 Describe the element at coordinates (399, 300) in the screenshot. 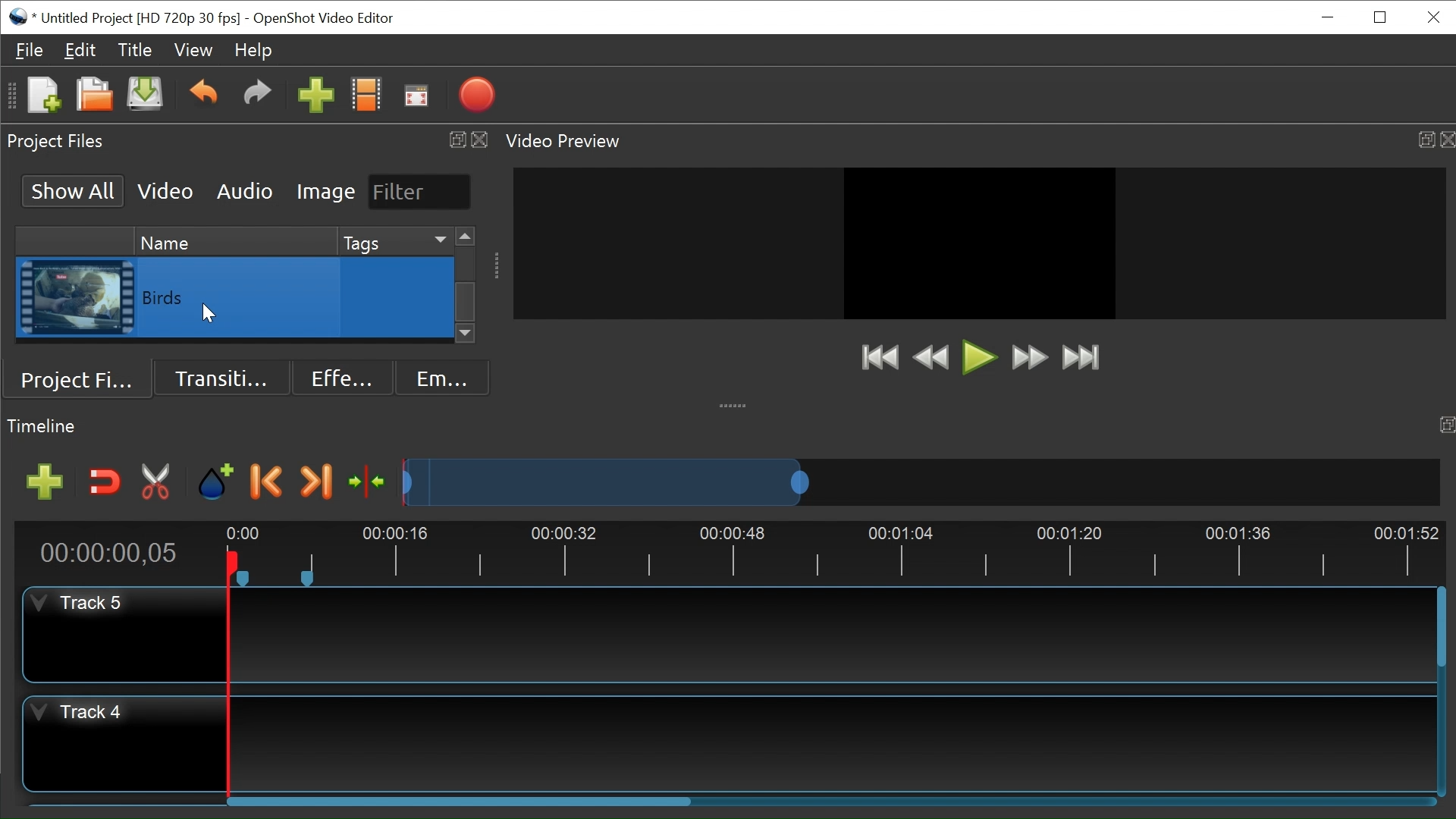

I see `Cursor` at that location.